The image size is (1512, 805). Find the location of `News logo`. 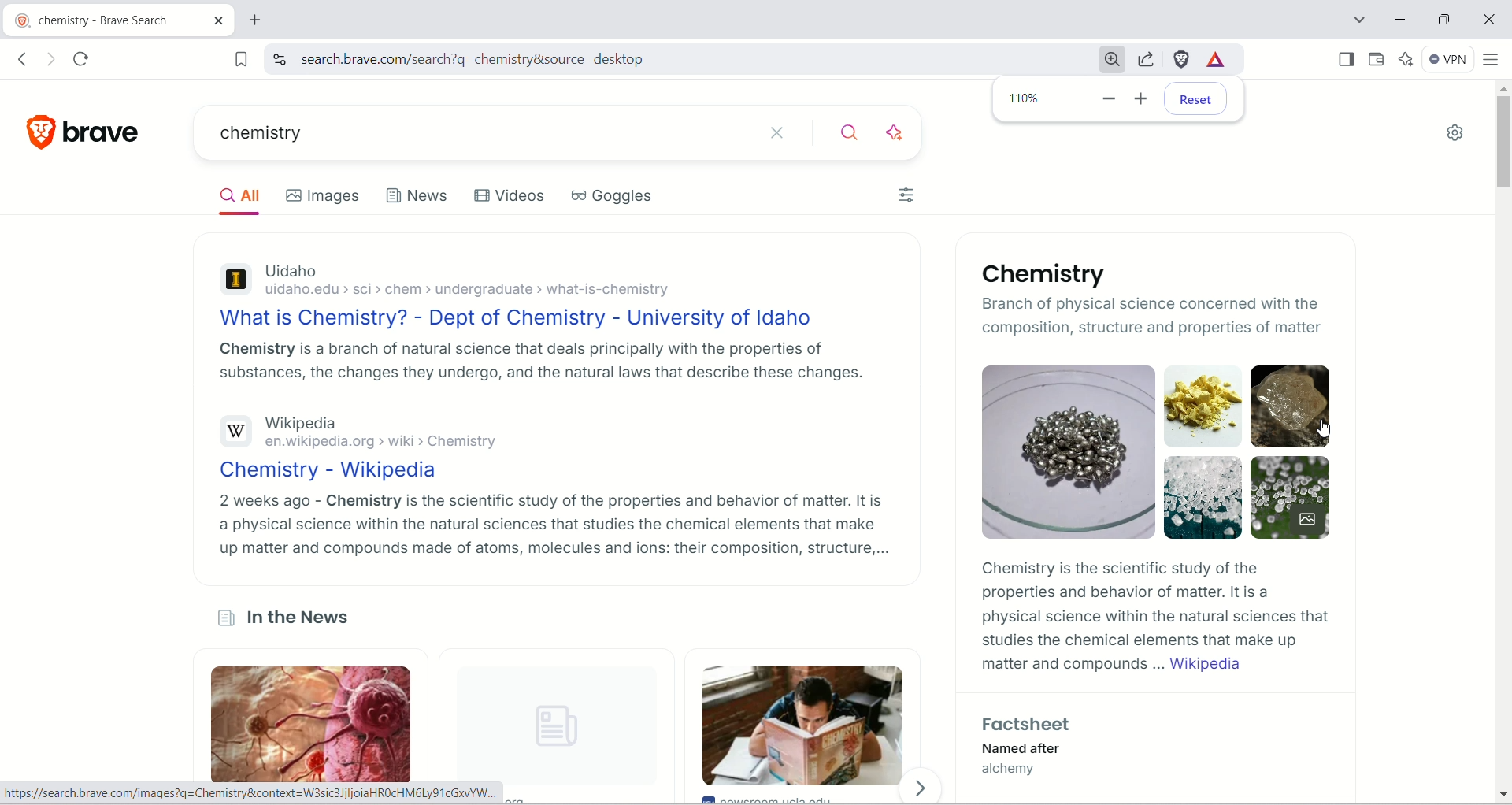

News logo is located at coordinates (220, 616).